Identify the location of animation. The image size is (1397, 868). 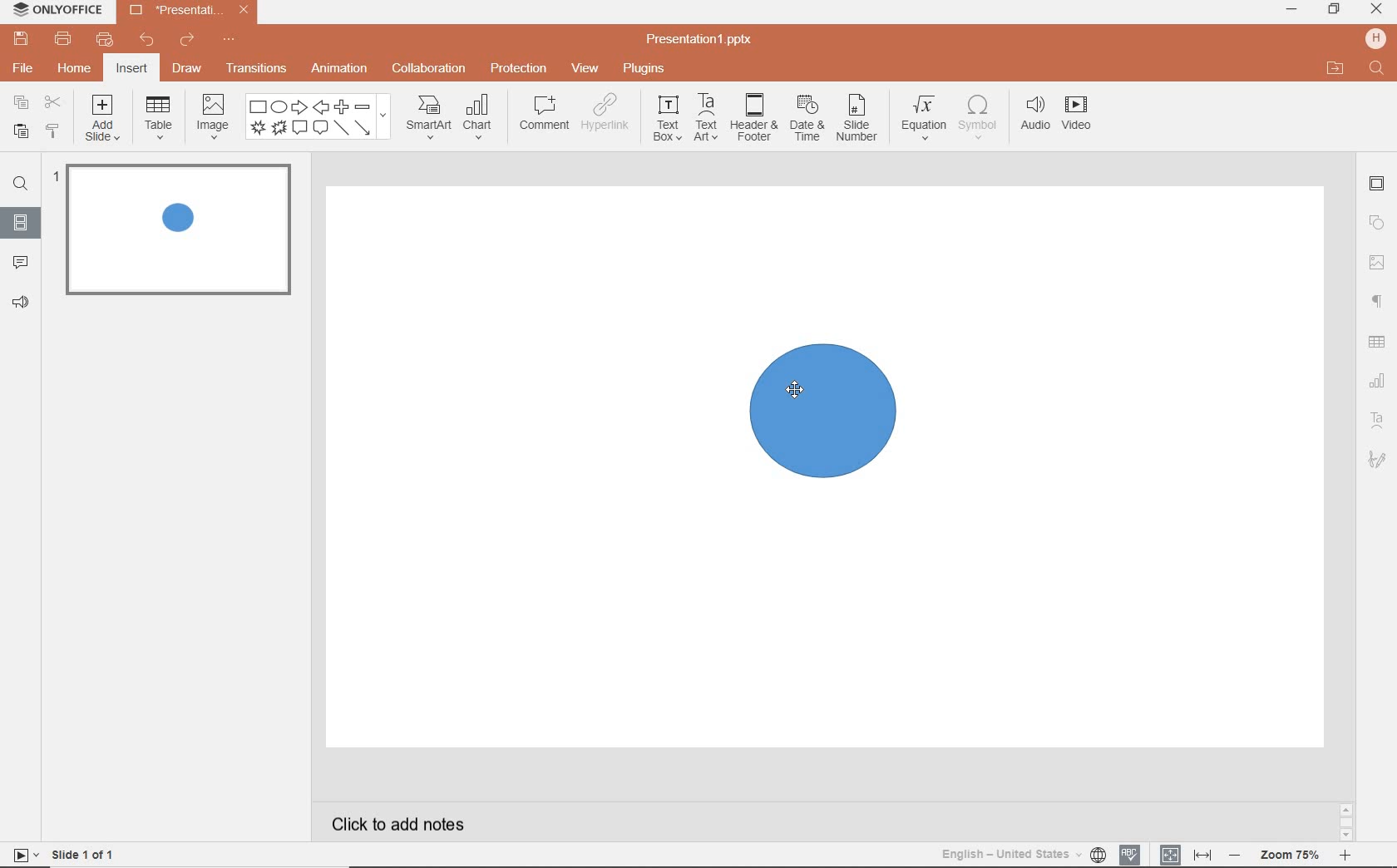
(339, 70).